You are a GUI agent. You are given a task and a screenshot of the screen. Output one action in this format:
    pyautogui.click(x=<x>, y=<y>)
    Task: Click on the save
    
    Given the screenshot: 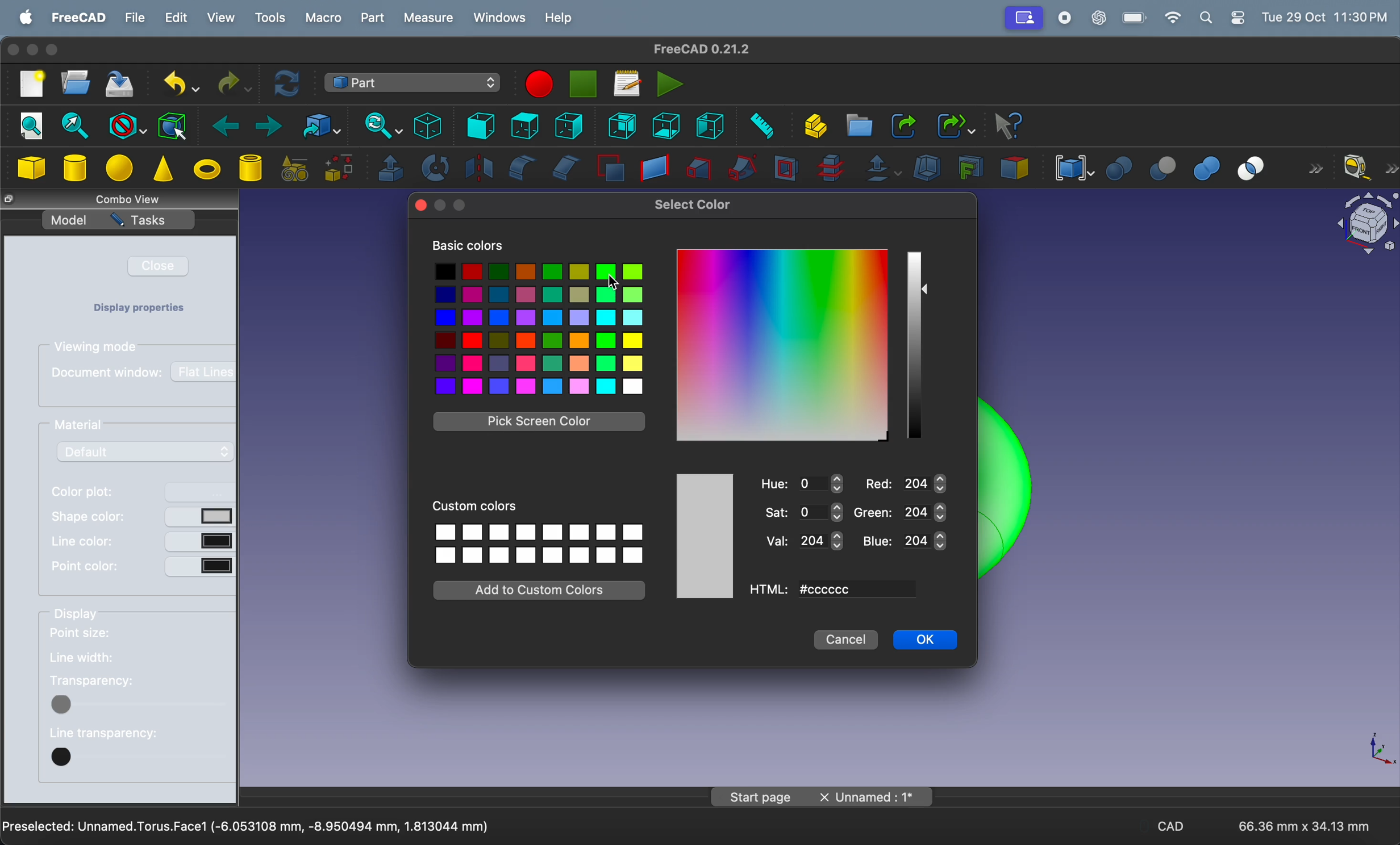 What is the action you would take?
    pyautogui.click(x=124, y=86)
    